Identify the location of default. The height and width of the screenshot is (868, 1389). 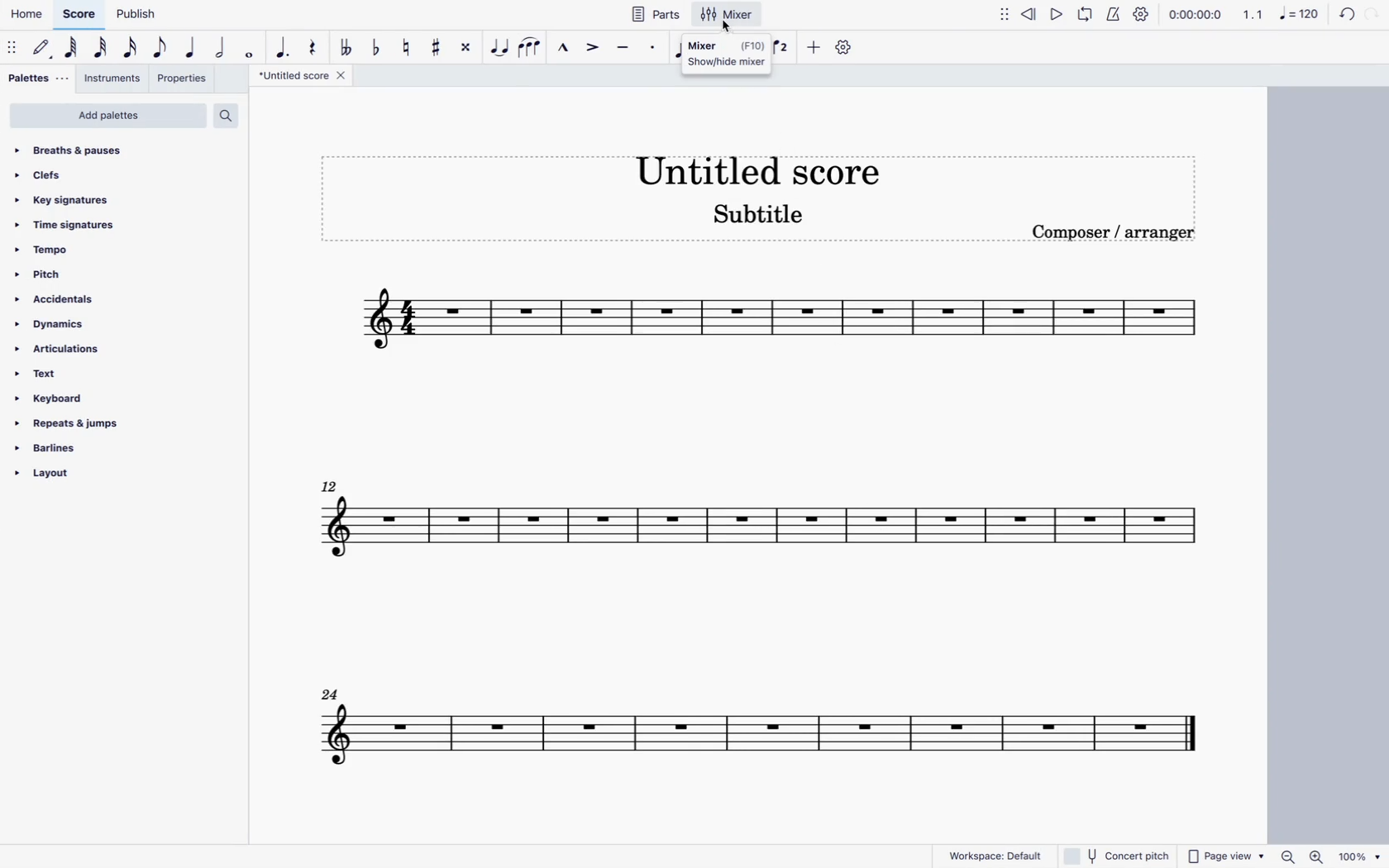
(43, 48).